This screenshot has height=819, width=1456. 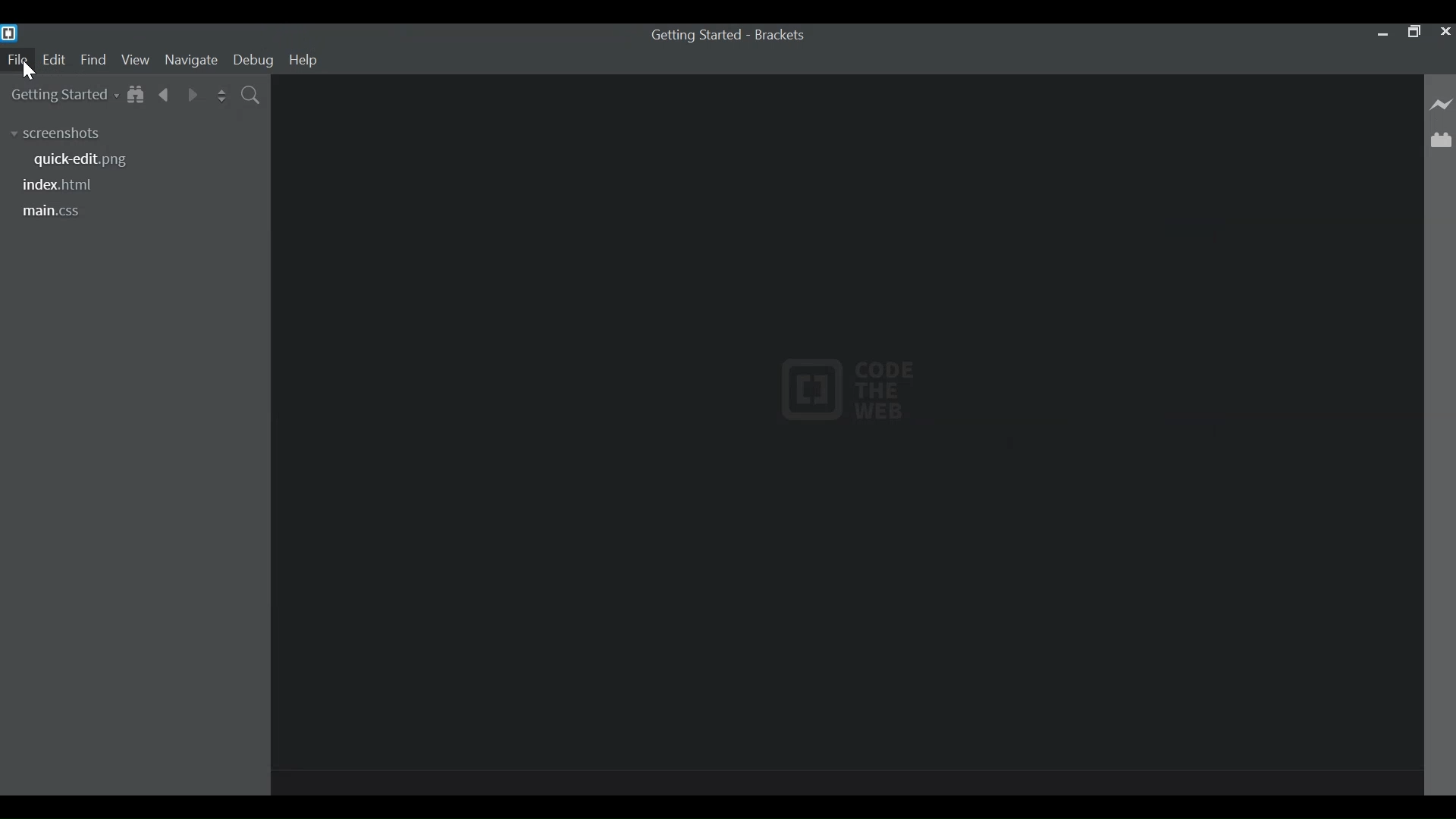 I want to click on Cursor, so click(x=26, y=71).